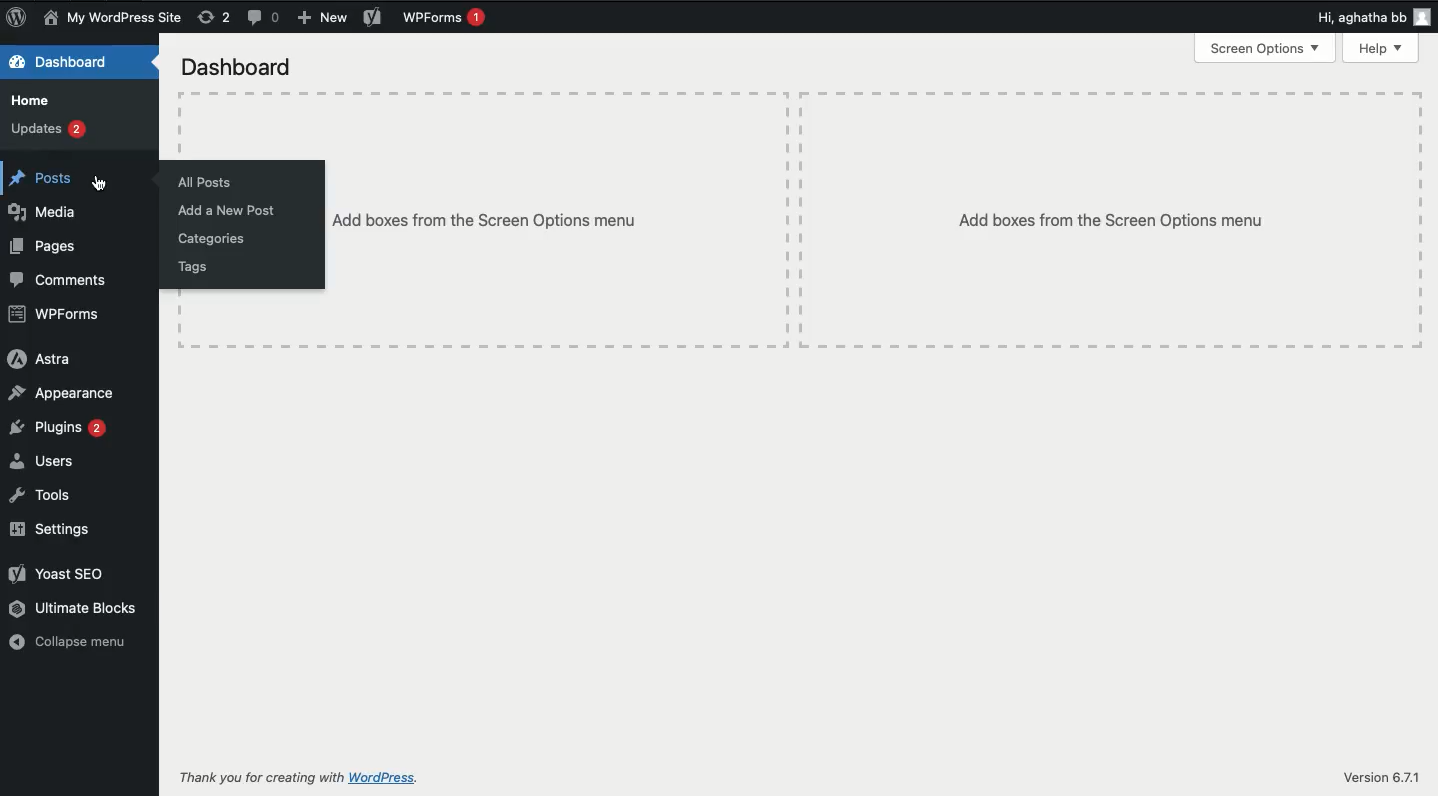  I want to click on Version 6.7.1, so click(1382, 778).